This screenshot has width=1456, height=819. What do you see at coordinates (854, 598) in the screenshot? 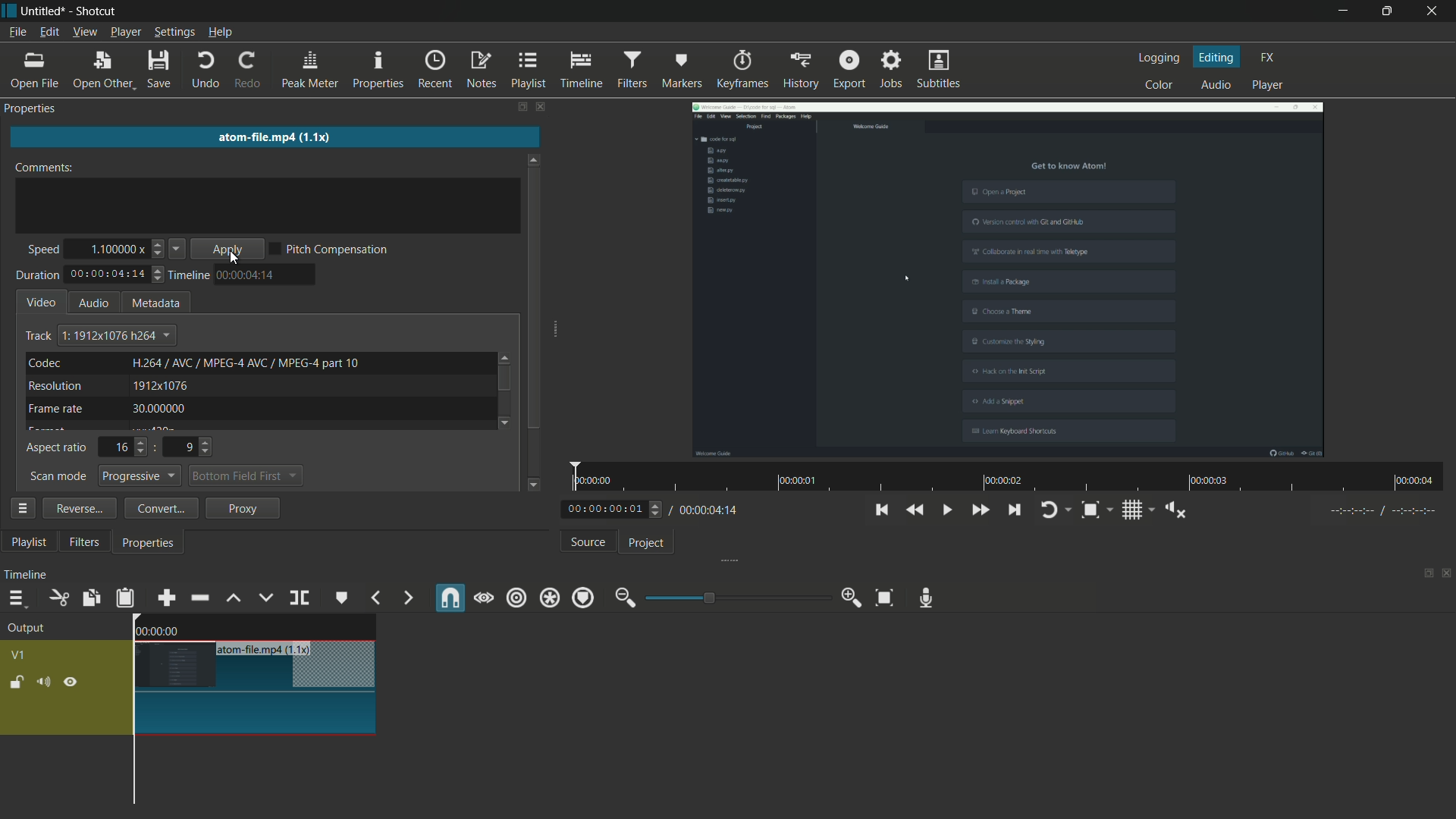
I see `zoom in` at bounding box center [854, 598].